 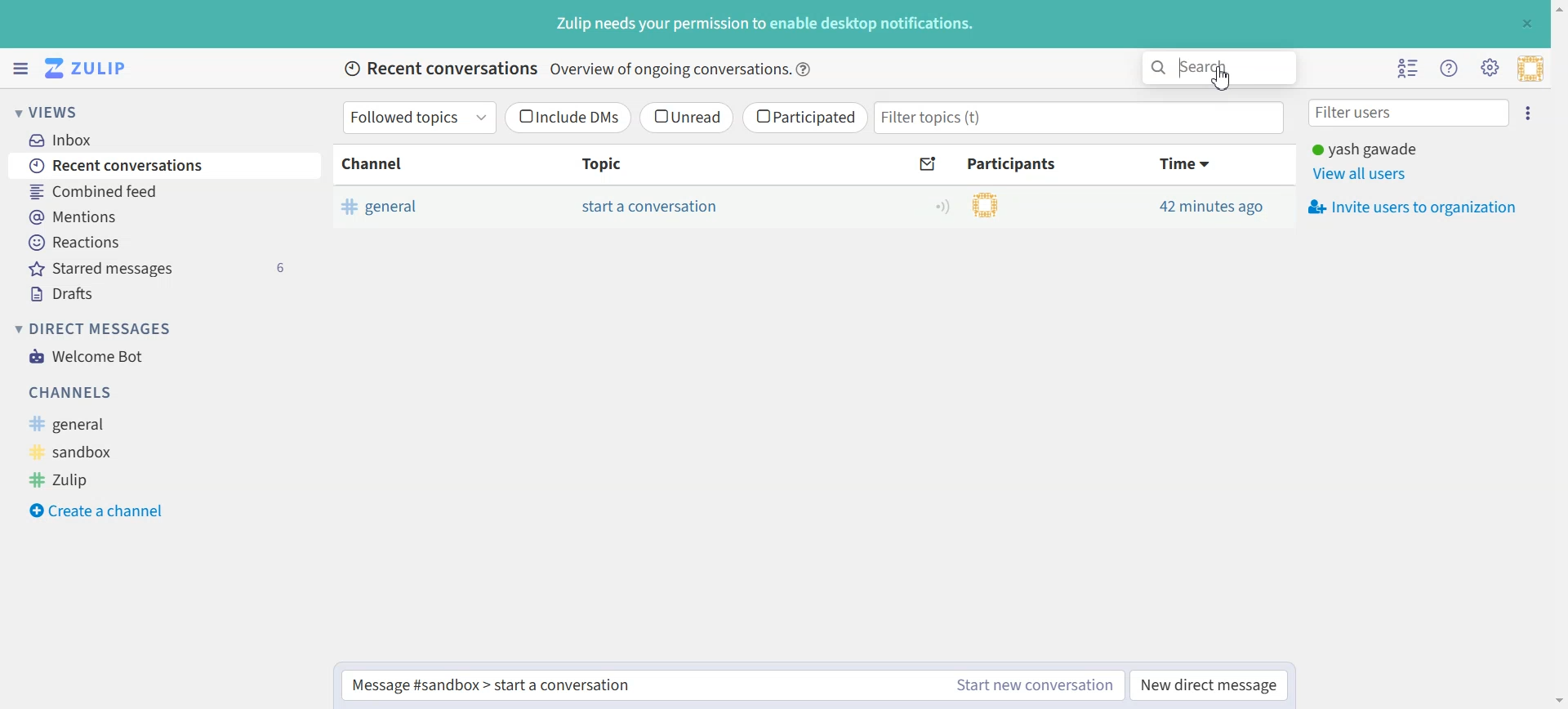 I want to click on Reactions, so click(x=162, y=242).